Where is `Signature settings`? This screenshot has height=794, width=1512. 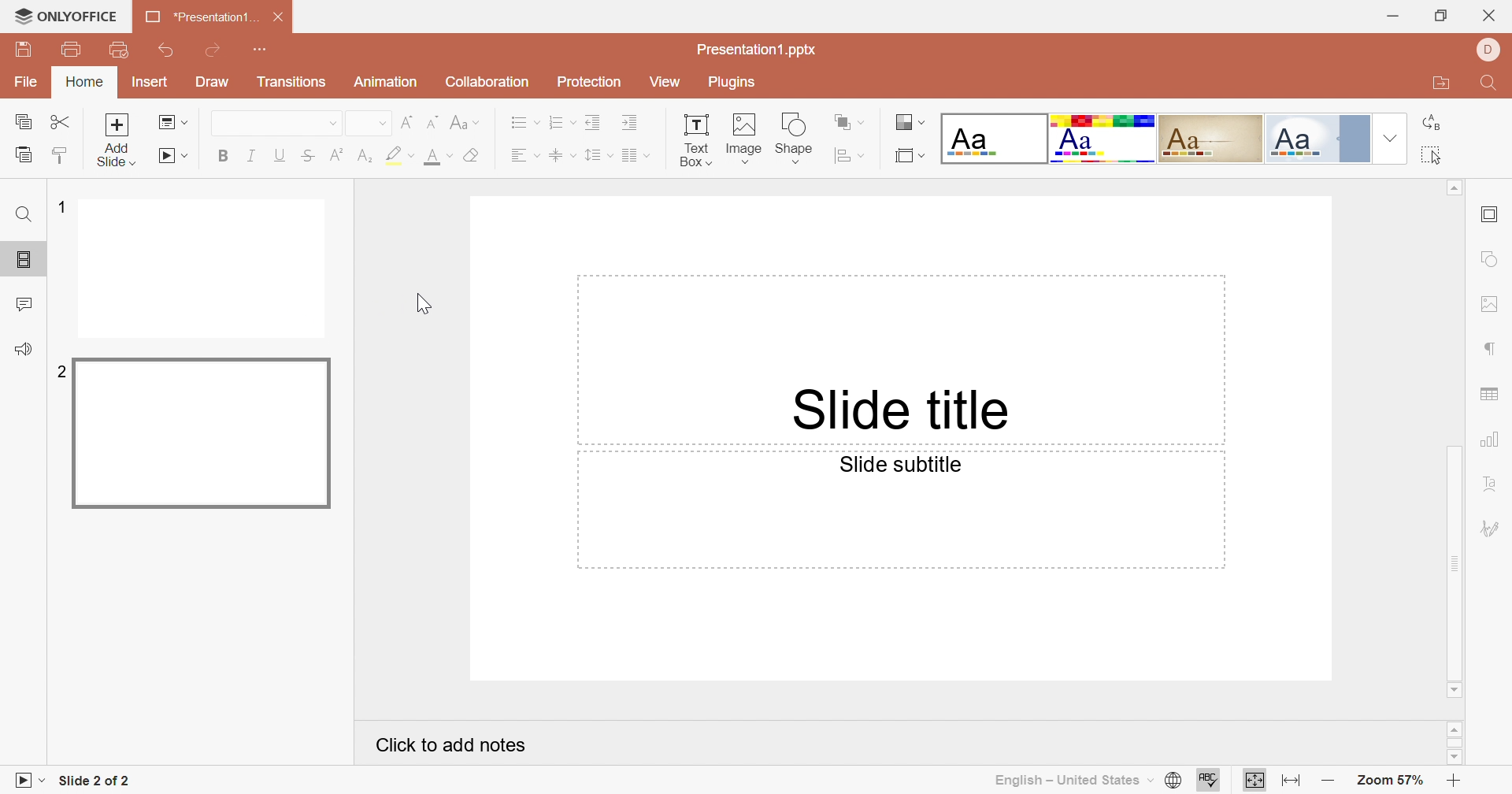 Signature settings is located at coordinates (1495, 530).